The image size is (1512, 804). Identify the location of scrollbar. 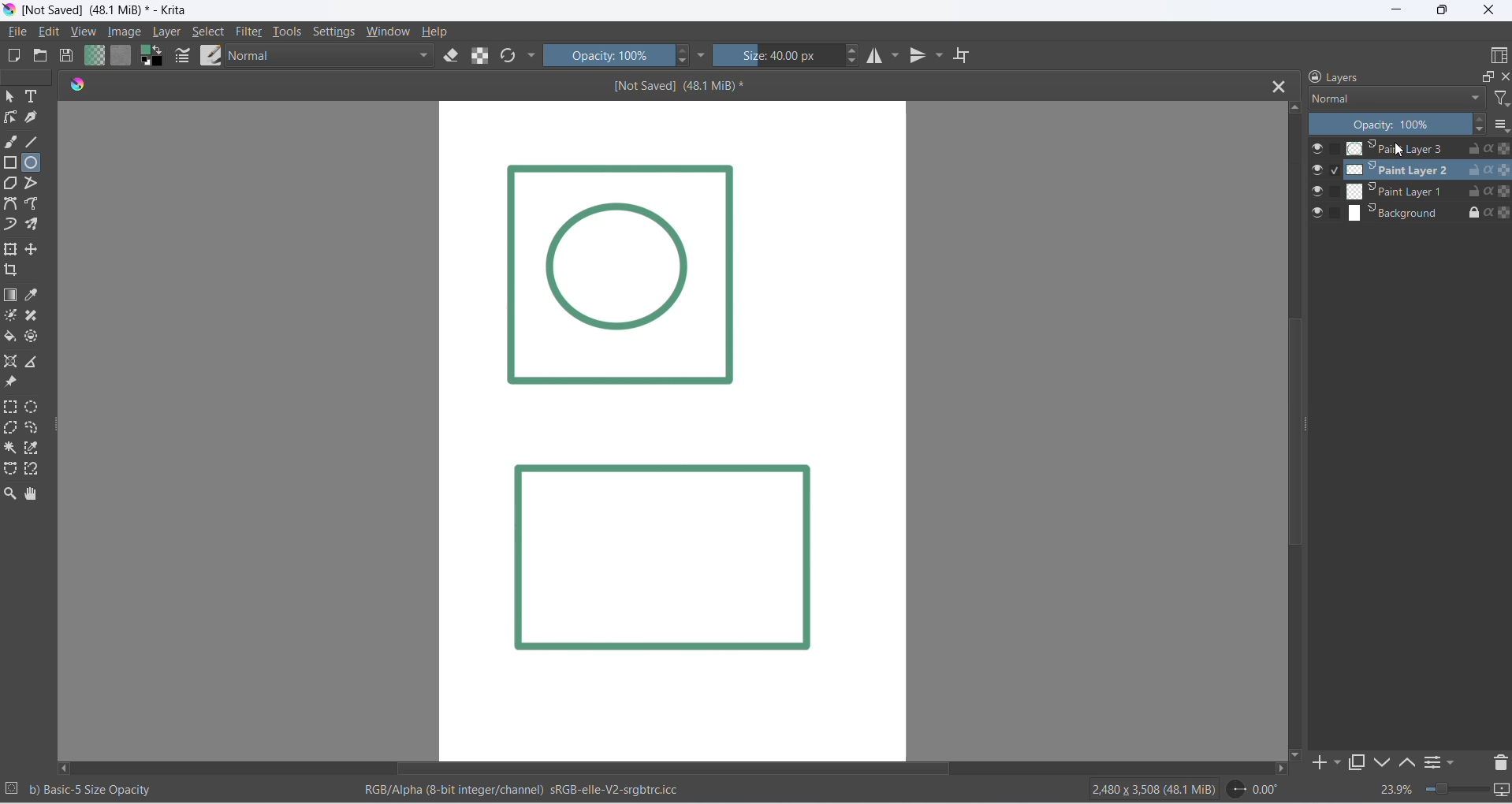
(1306, 427).